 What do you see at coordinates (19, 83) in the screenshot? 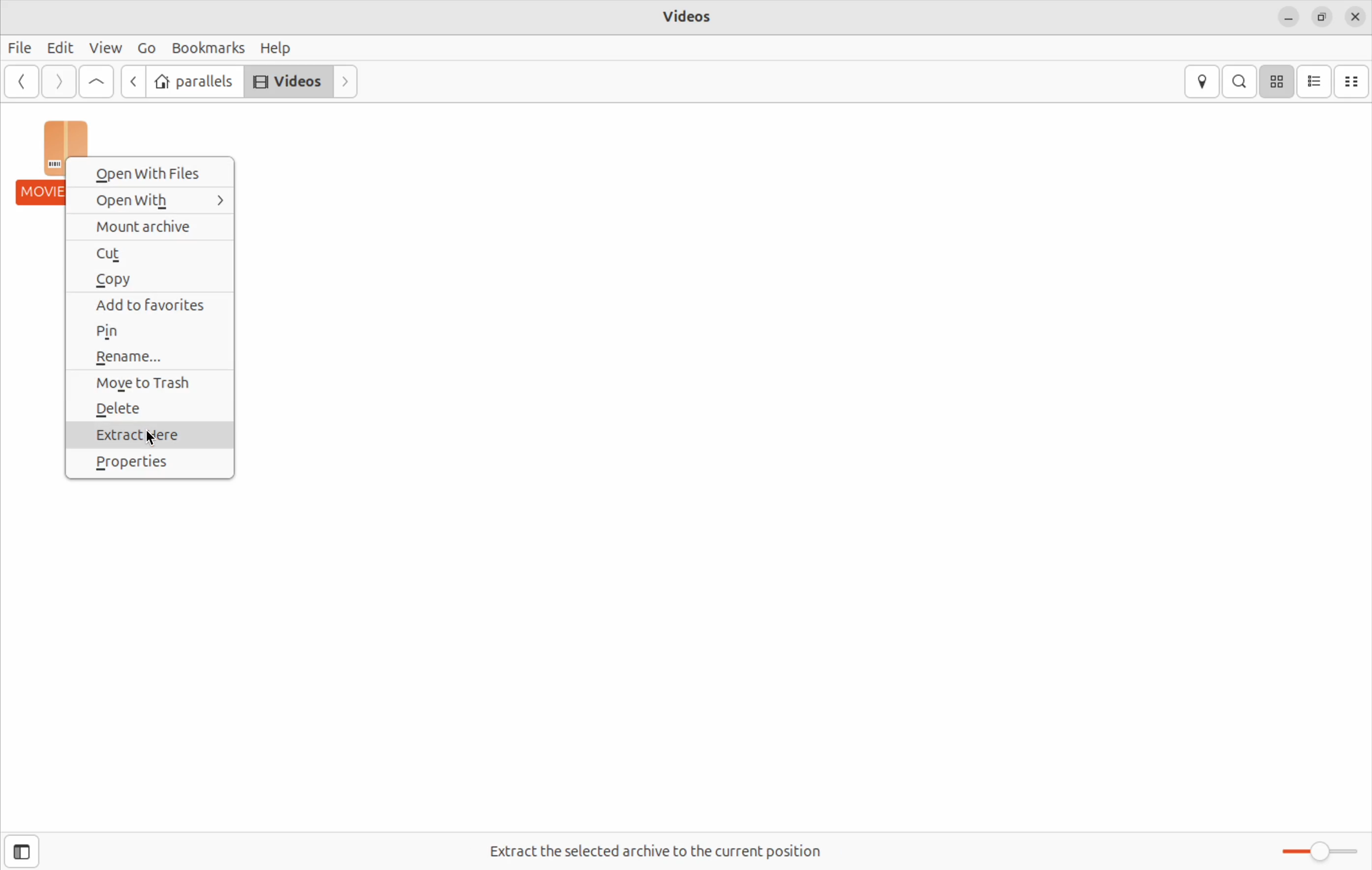
I see `Go back` at bounding box center [19, 83].